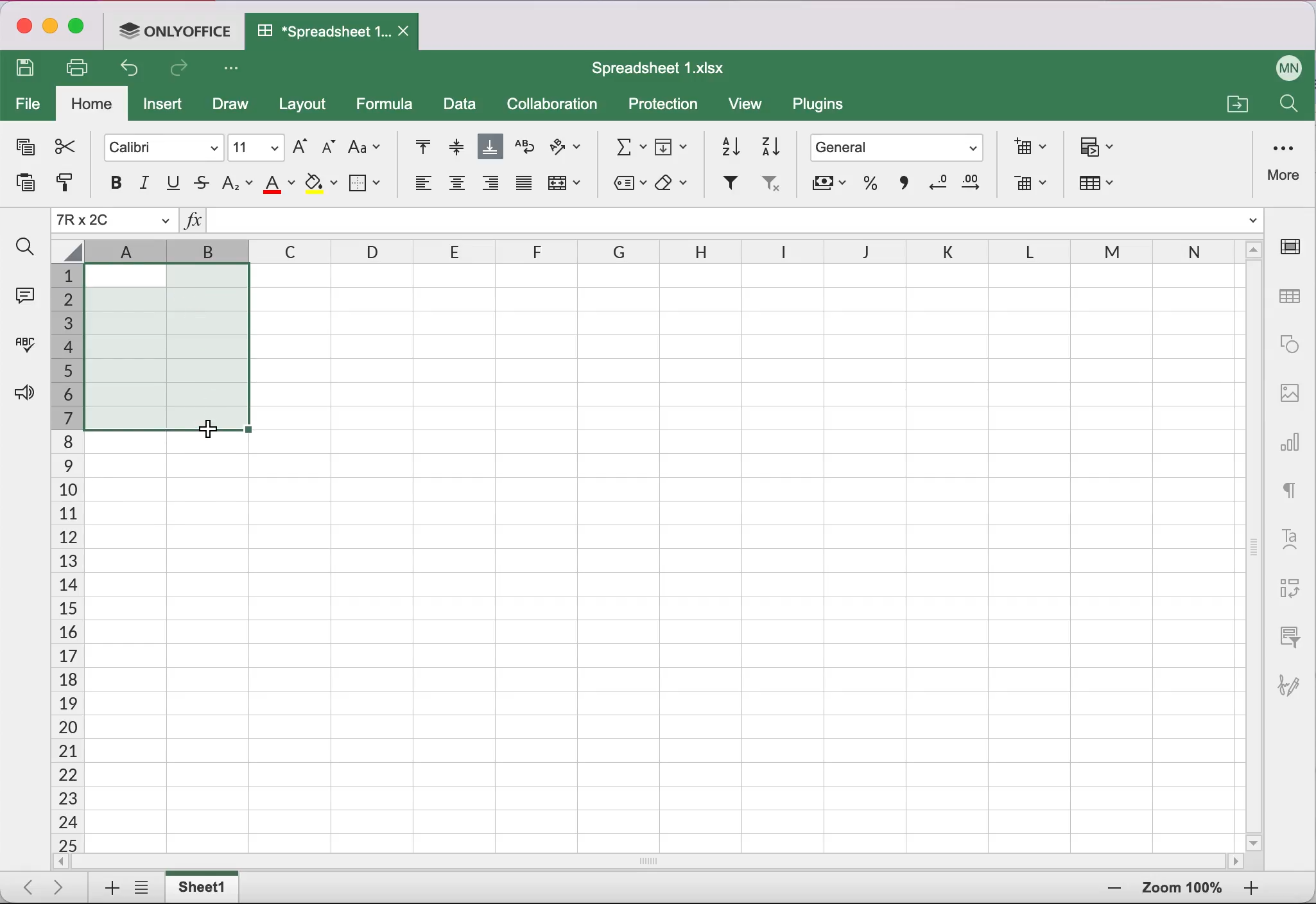  What do you see at coordinates (457, 187) in the screenshot?
I see `align center` at bounding box center [457, 187].